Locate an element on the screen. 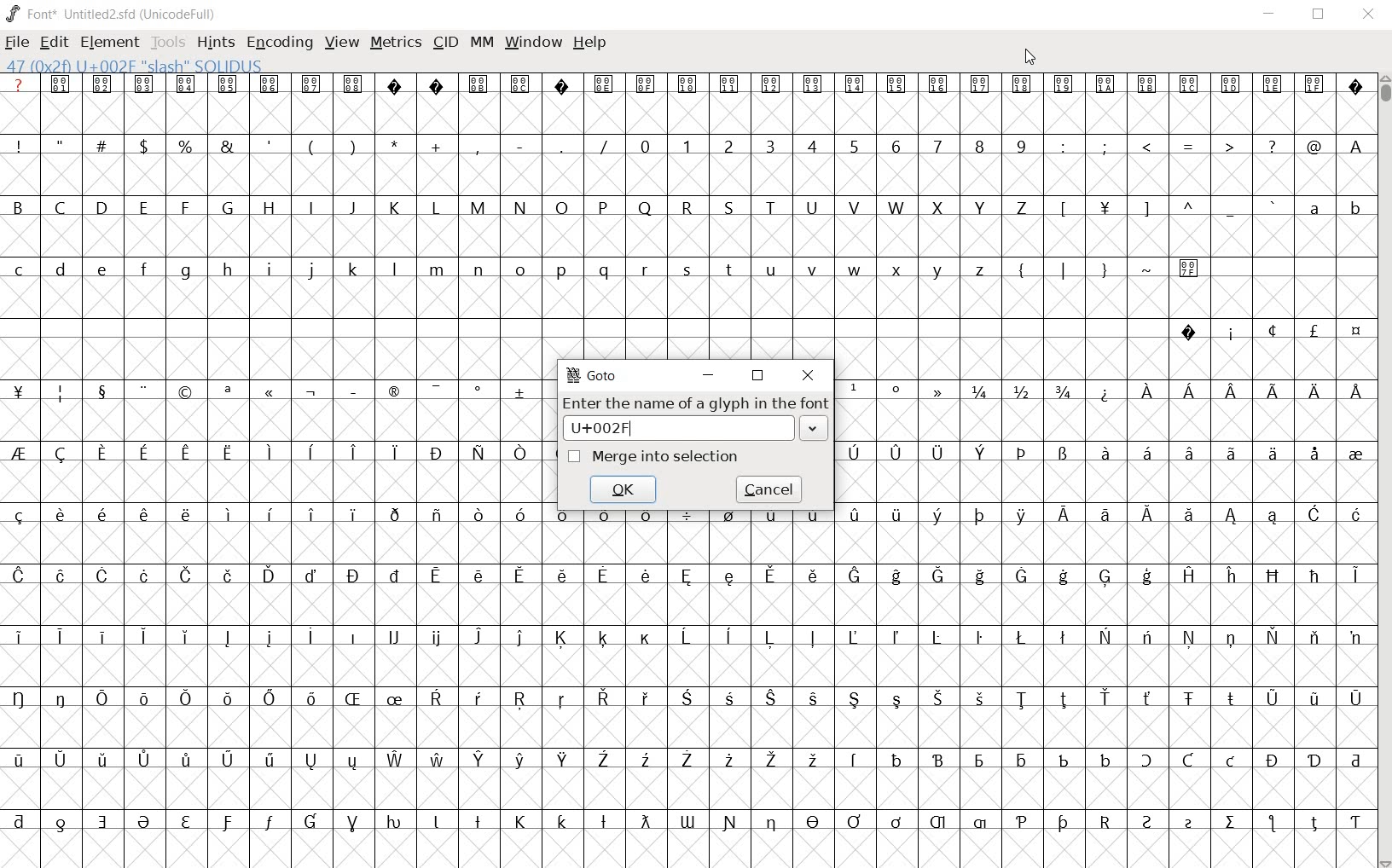  47(0*2f)U+002F "SLASH" SOLIDUS is located at coordinates (134, 65).